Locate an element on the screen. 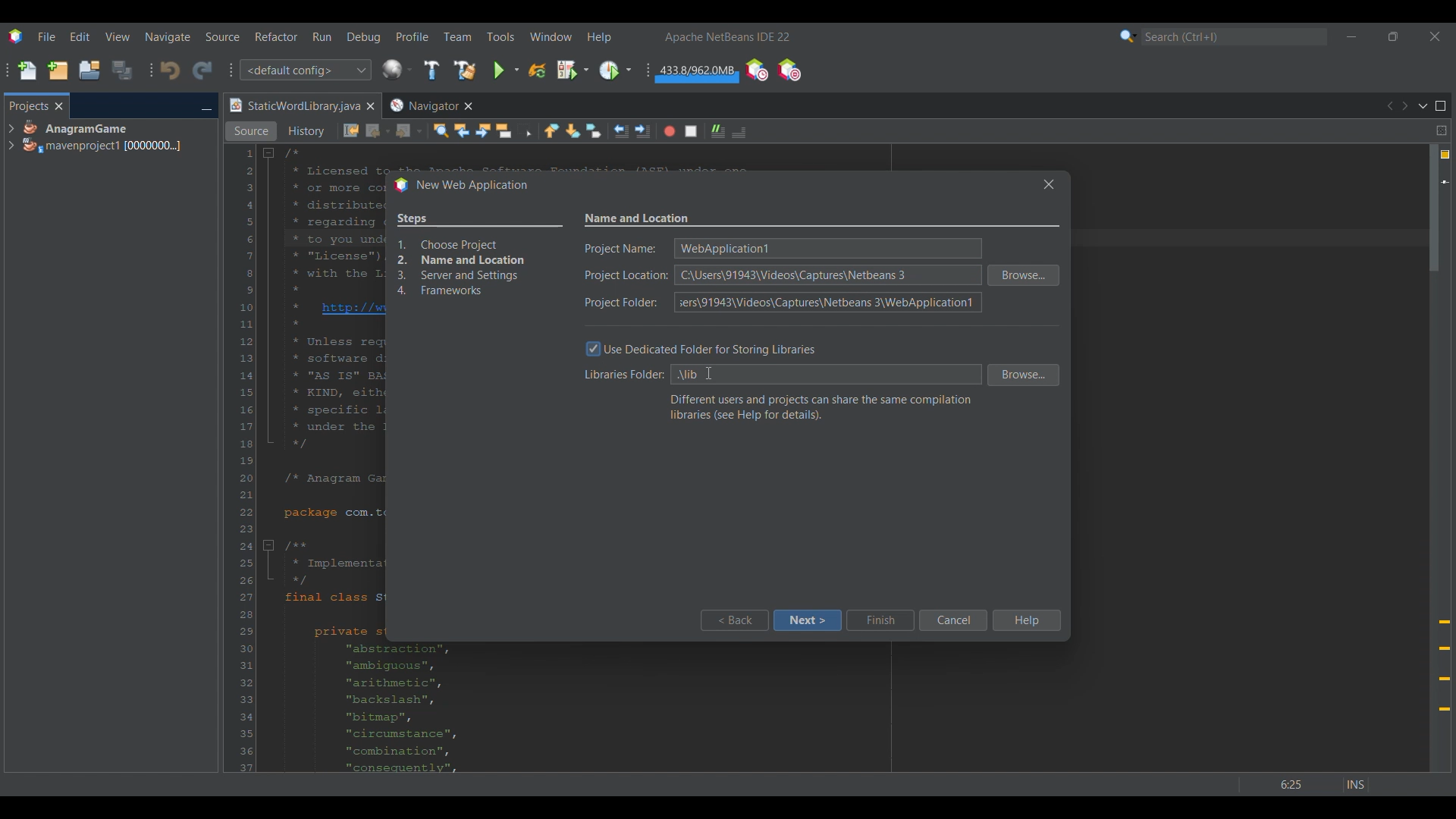 Image resolution: width=1456 pixels, height=819 pixels. Previous is located at coordinates (1389, 106).